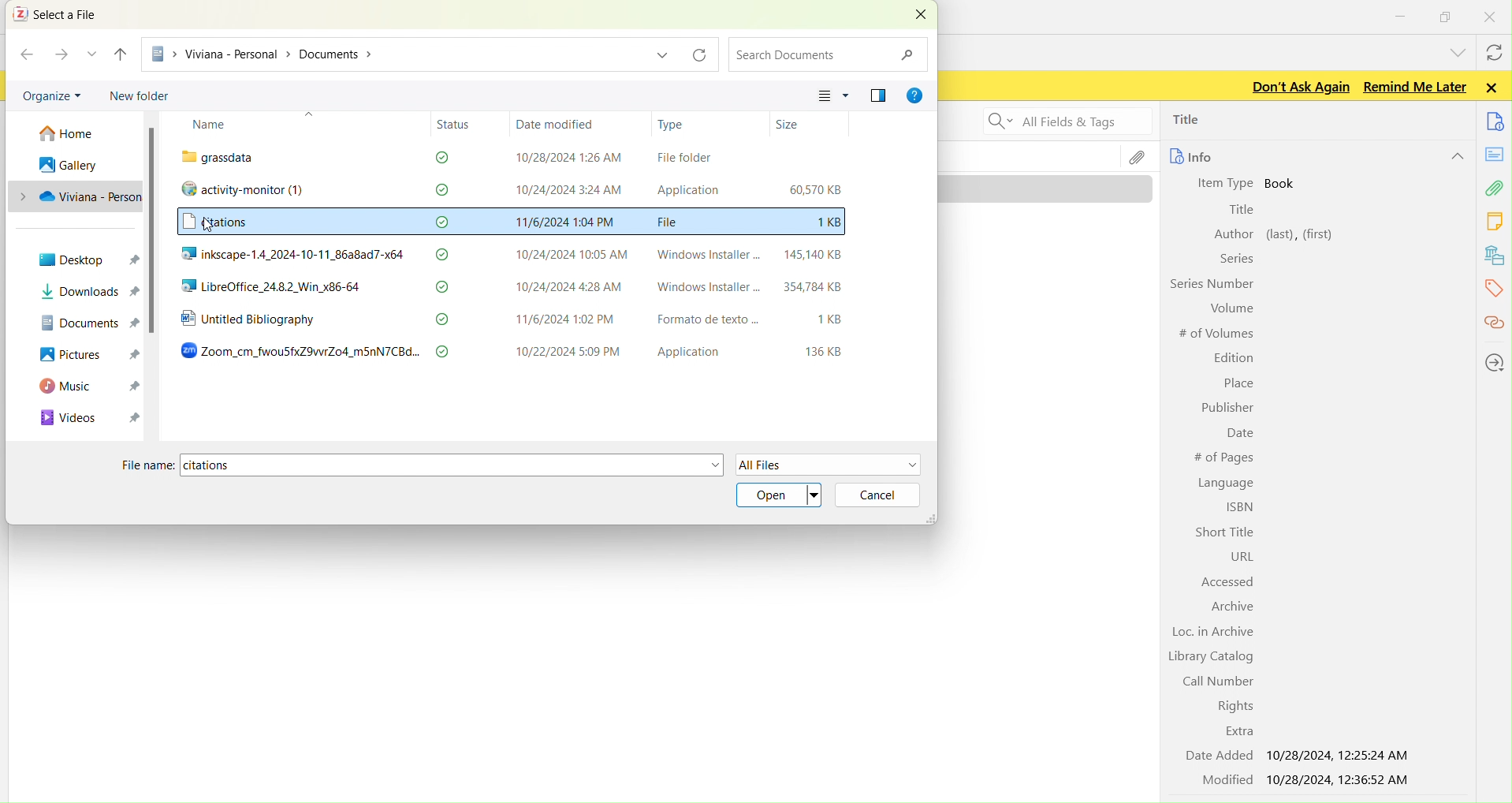 The width and height of the screenshot is (1512, 803). What do you see at coordinates (1497, 256) in the screenshot?
I see `library` at bounding box center [1497, 256].